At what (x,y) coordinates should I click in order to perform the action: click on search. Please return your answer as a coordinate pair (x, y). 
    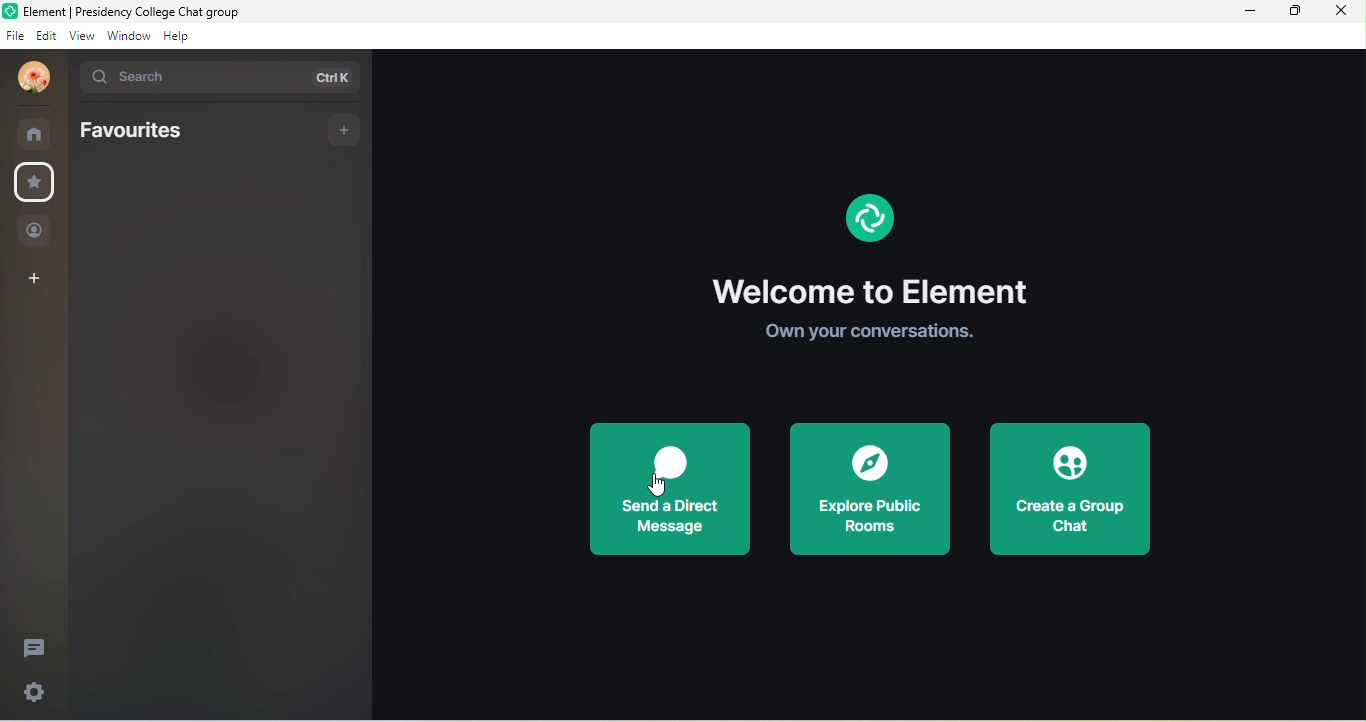
    Looking at the image, I should click on (222, 78).